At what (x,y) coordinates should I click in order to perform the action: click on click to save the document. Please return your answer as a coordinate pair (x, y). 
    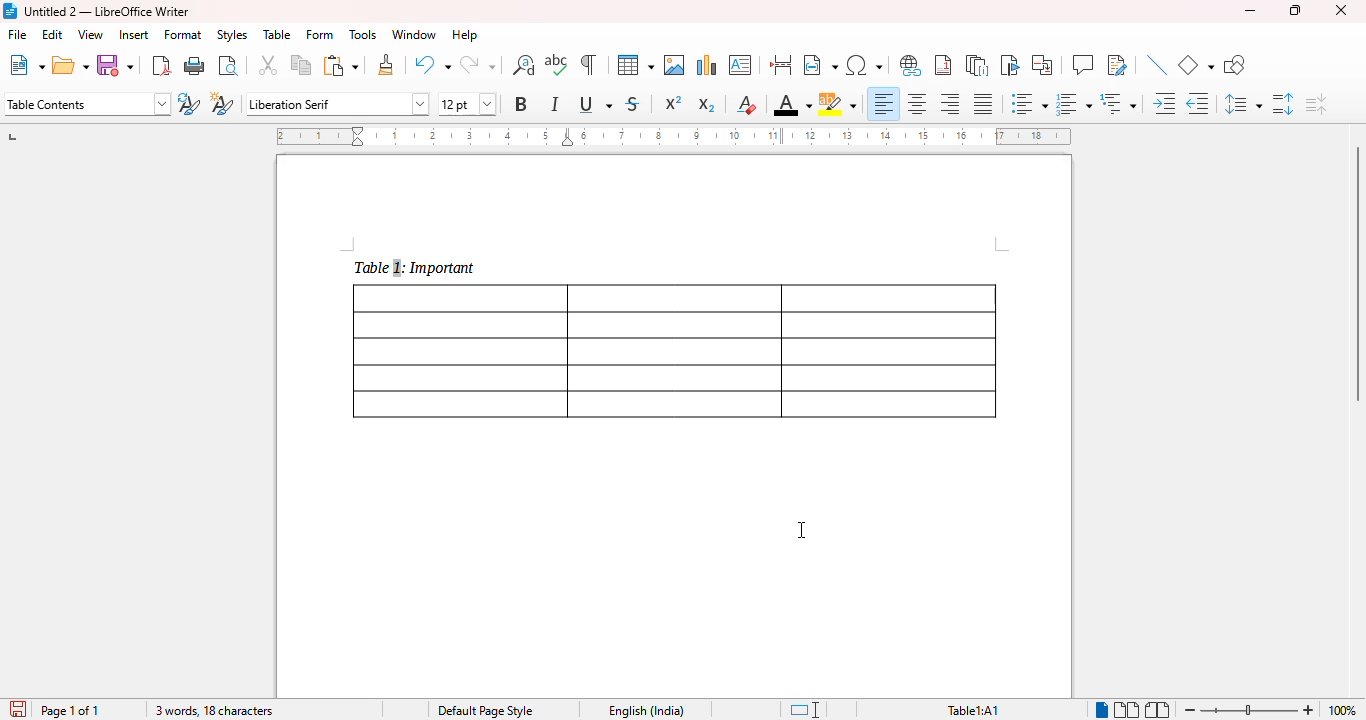
    Looking at the image, I should click on (19, 709).